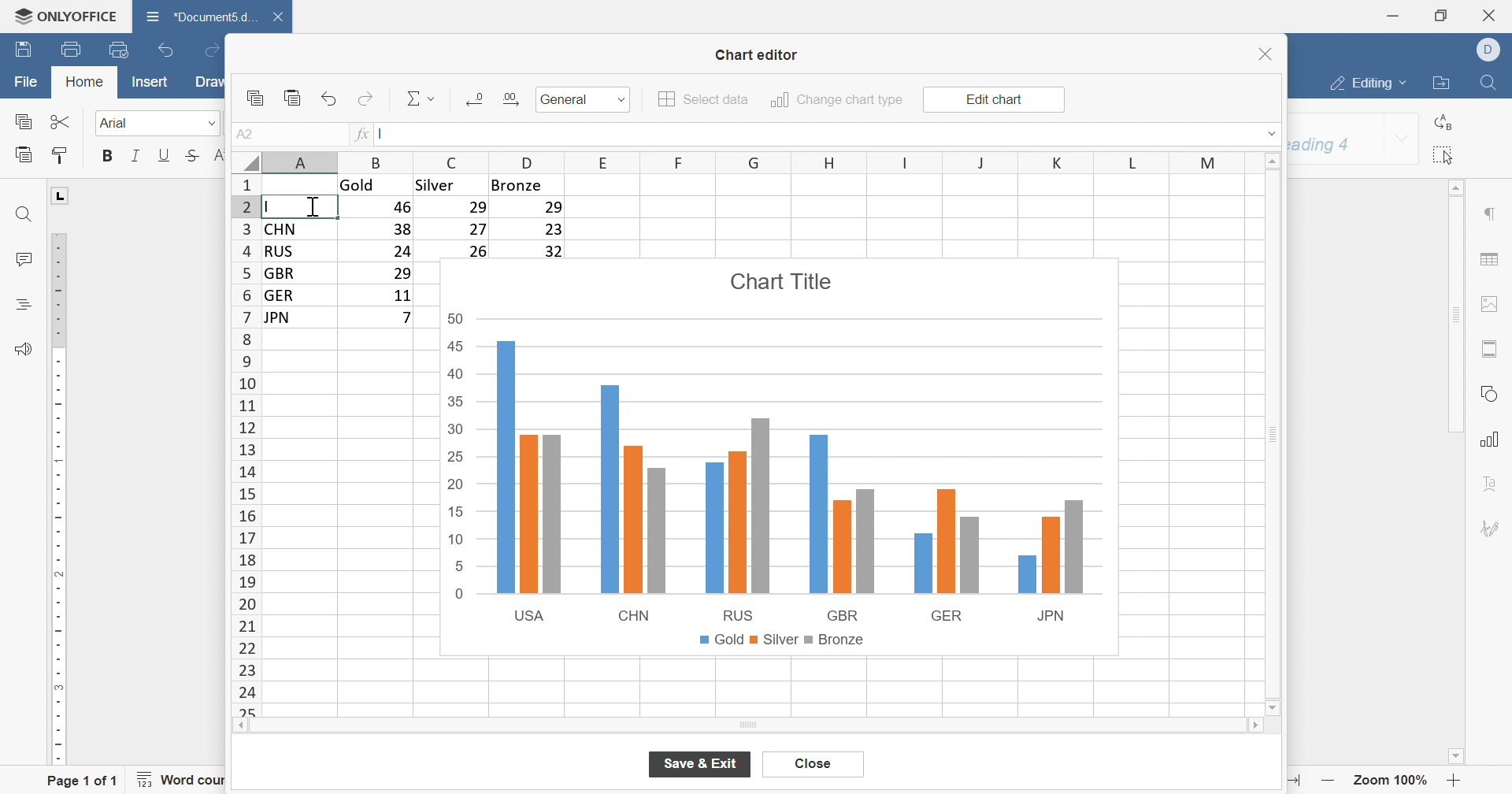 This screenshot has height=794, width=1512. I want to click on row number, so click(245, 445).